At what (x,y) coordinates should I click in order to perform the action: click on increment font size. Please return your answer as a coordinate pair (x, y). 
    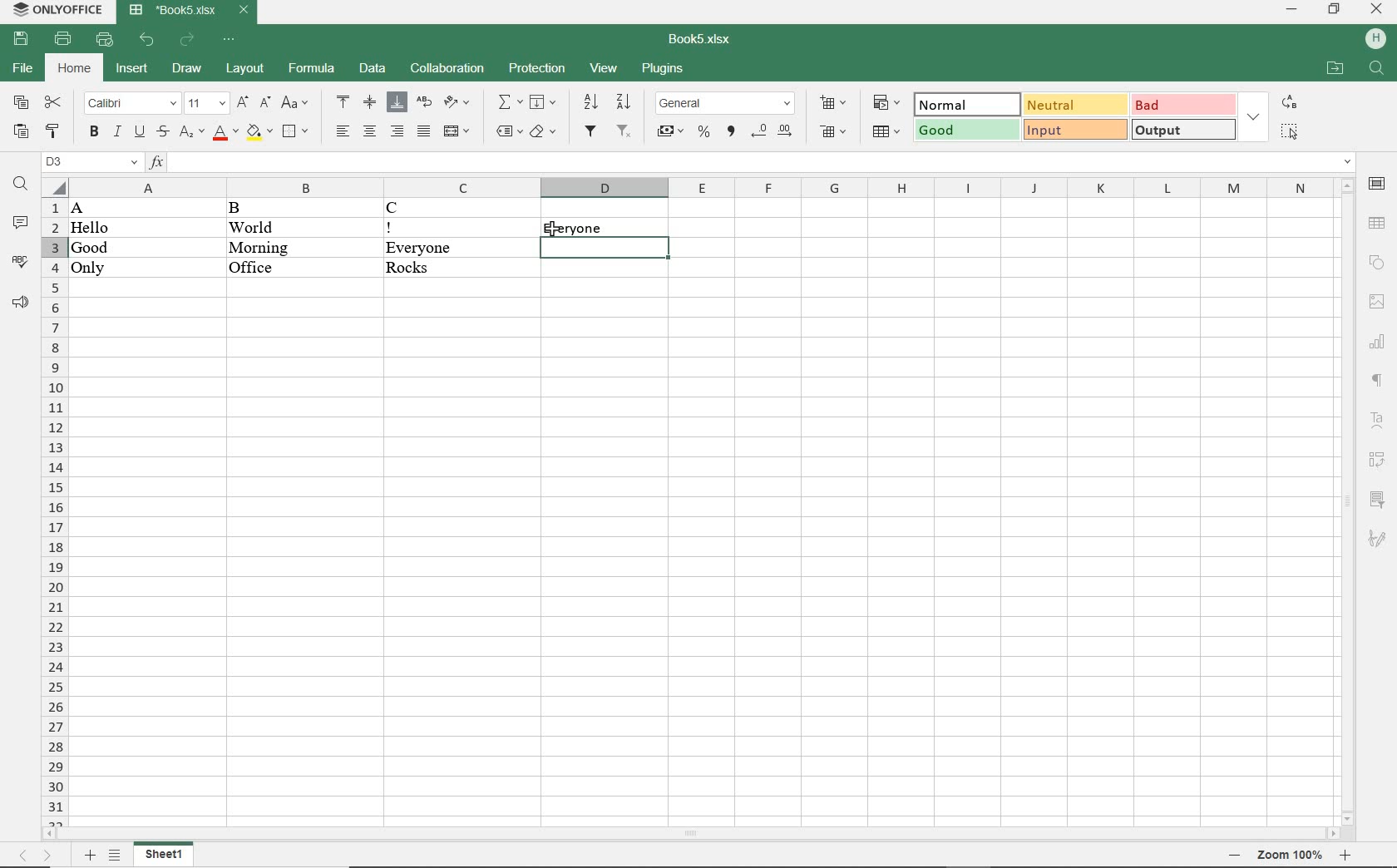
    Looking at the image, I should click on (244, 104).